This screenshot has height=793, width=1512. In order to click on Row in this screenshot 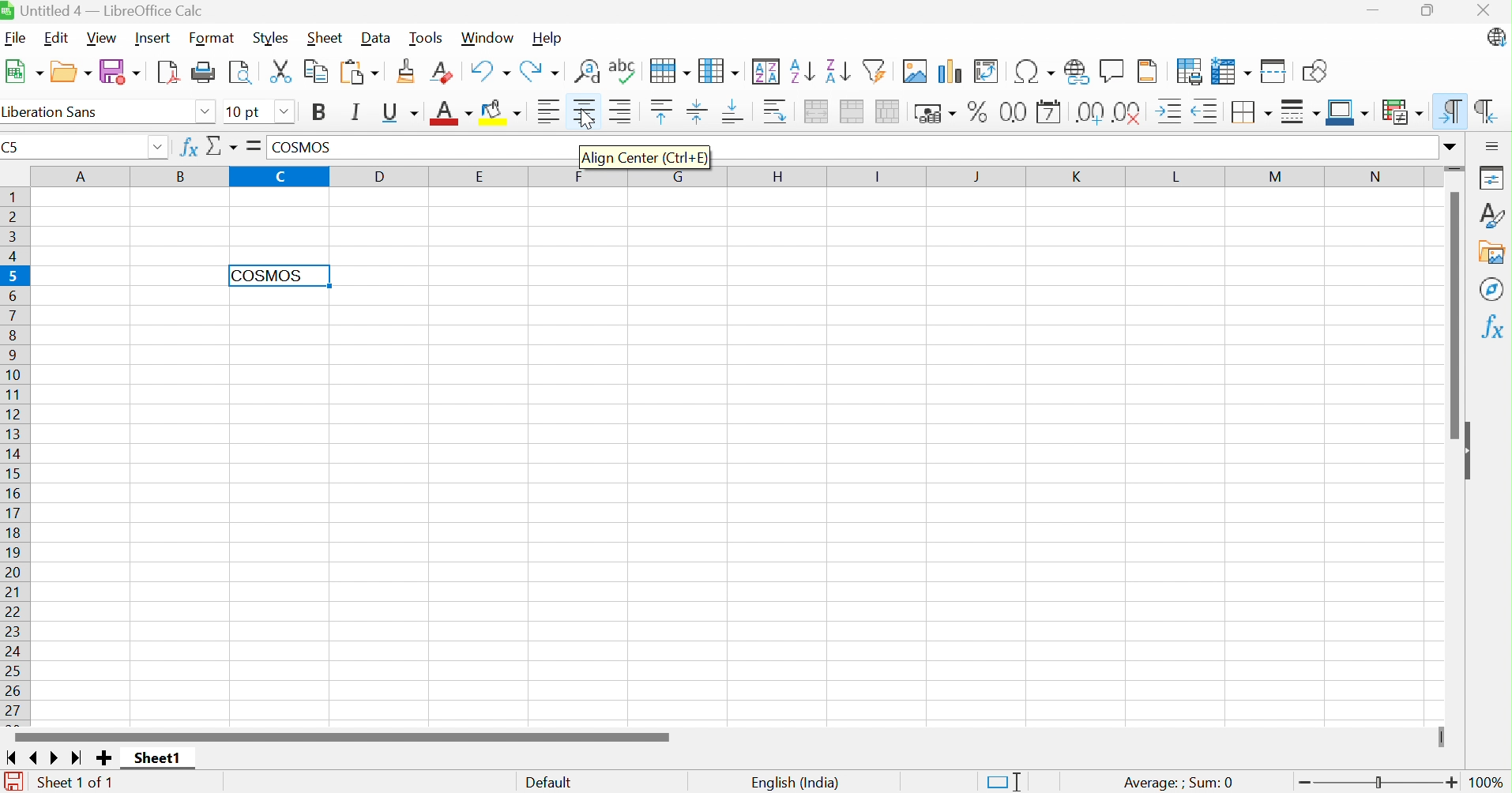, I will do `click(670, 67)`.